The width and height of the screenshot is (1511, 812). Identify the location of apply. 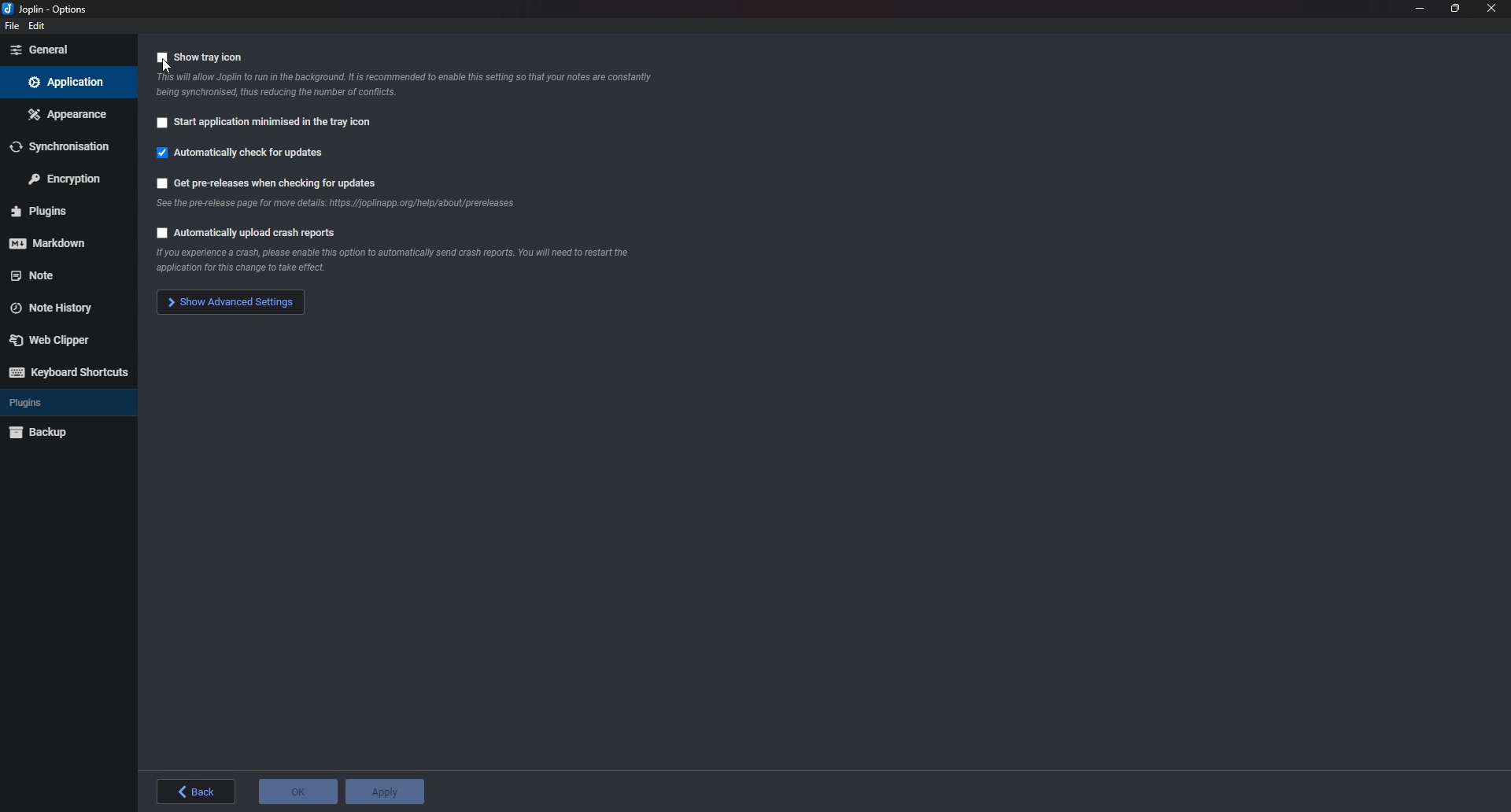
(386, 792).